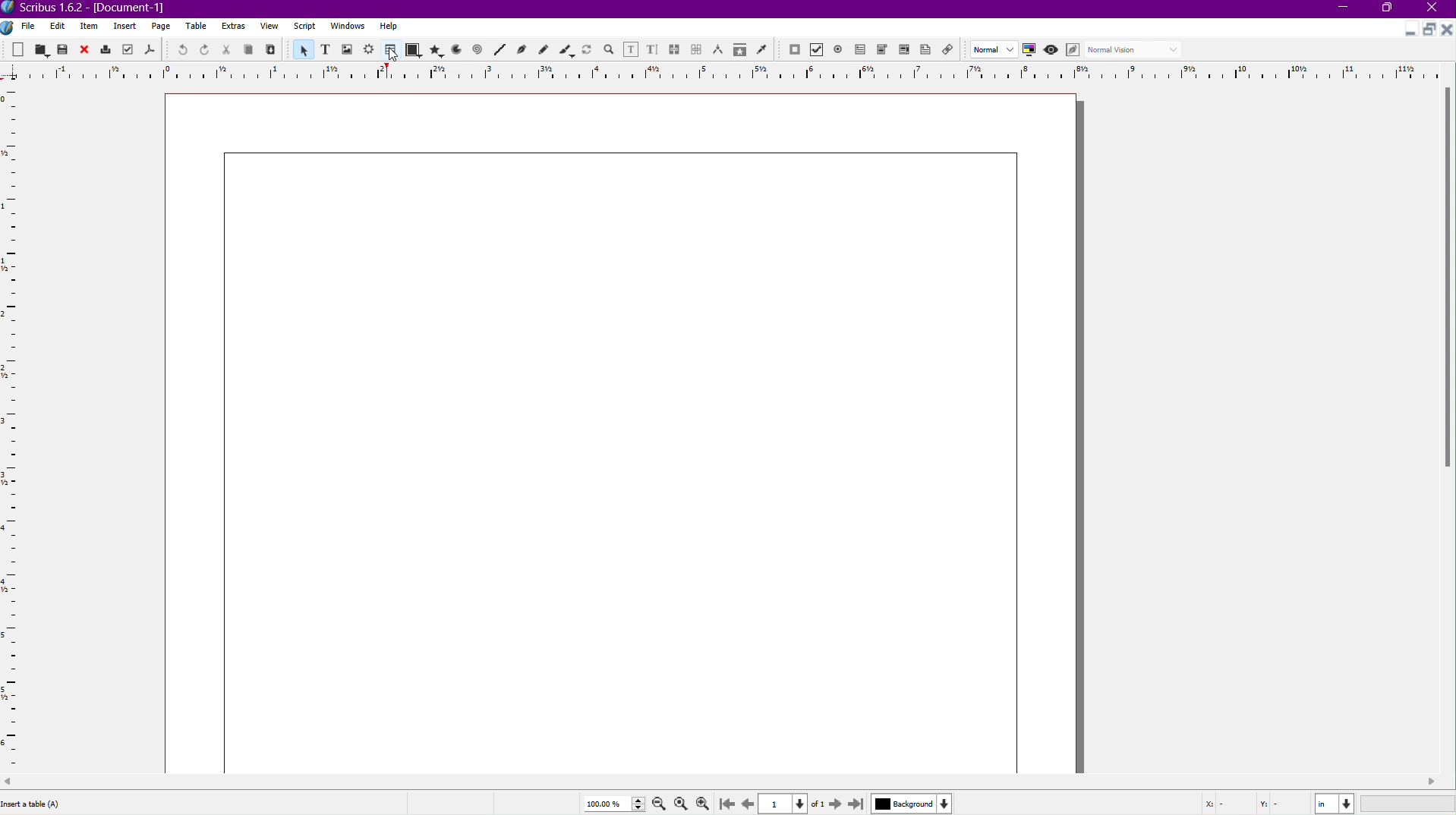 This screenshot has height=815, width=1456. What do you see at coordinates (64, 49) in the screenshot?
I see `Save` at bounding box center [64, 49].